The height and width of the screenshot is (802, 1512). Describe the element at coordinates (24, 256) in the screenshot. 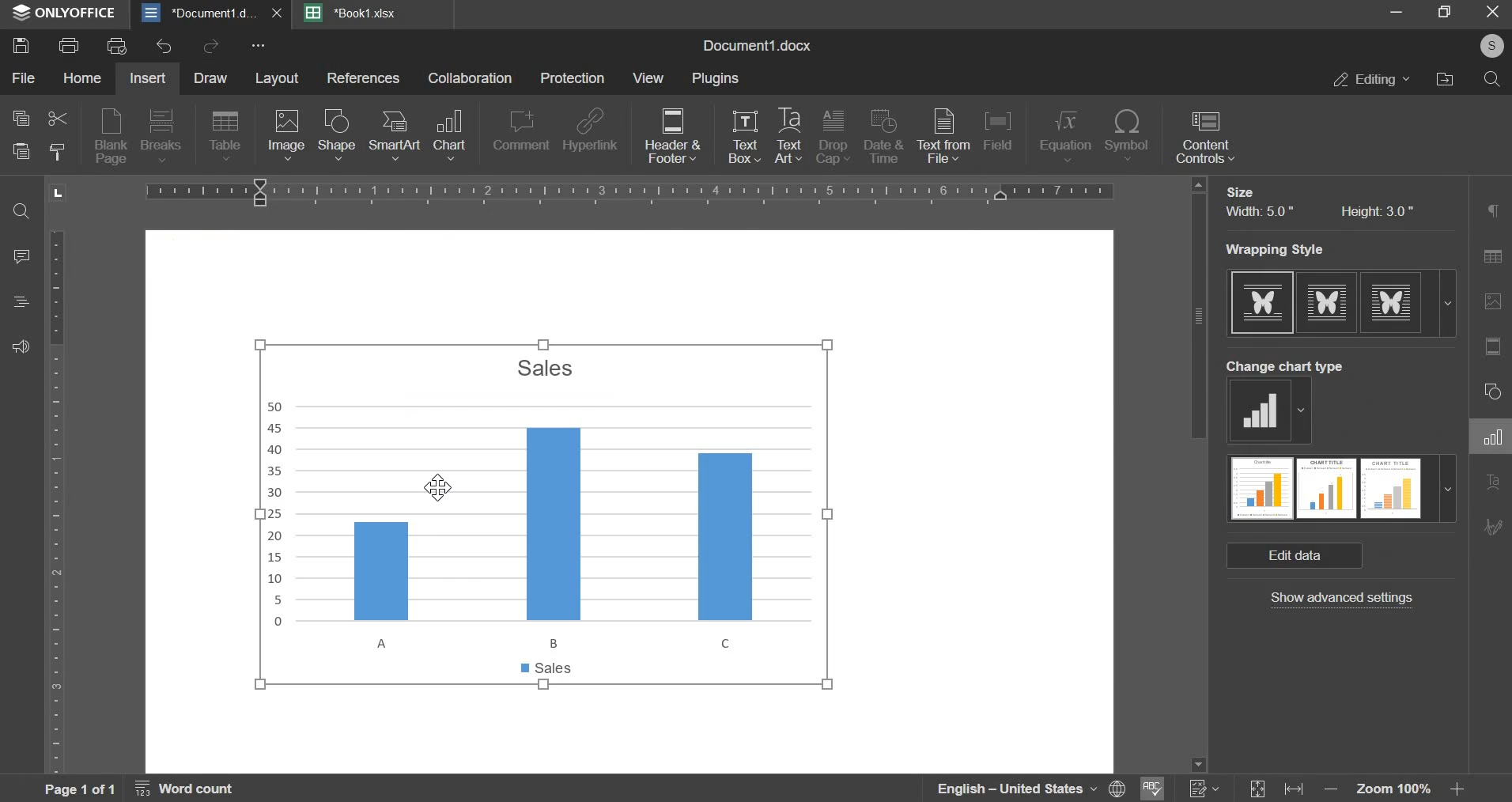

I see `comment` at that location.